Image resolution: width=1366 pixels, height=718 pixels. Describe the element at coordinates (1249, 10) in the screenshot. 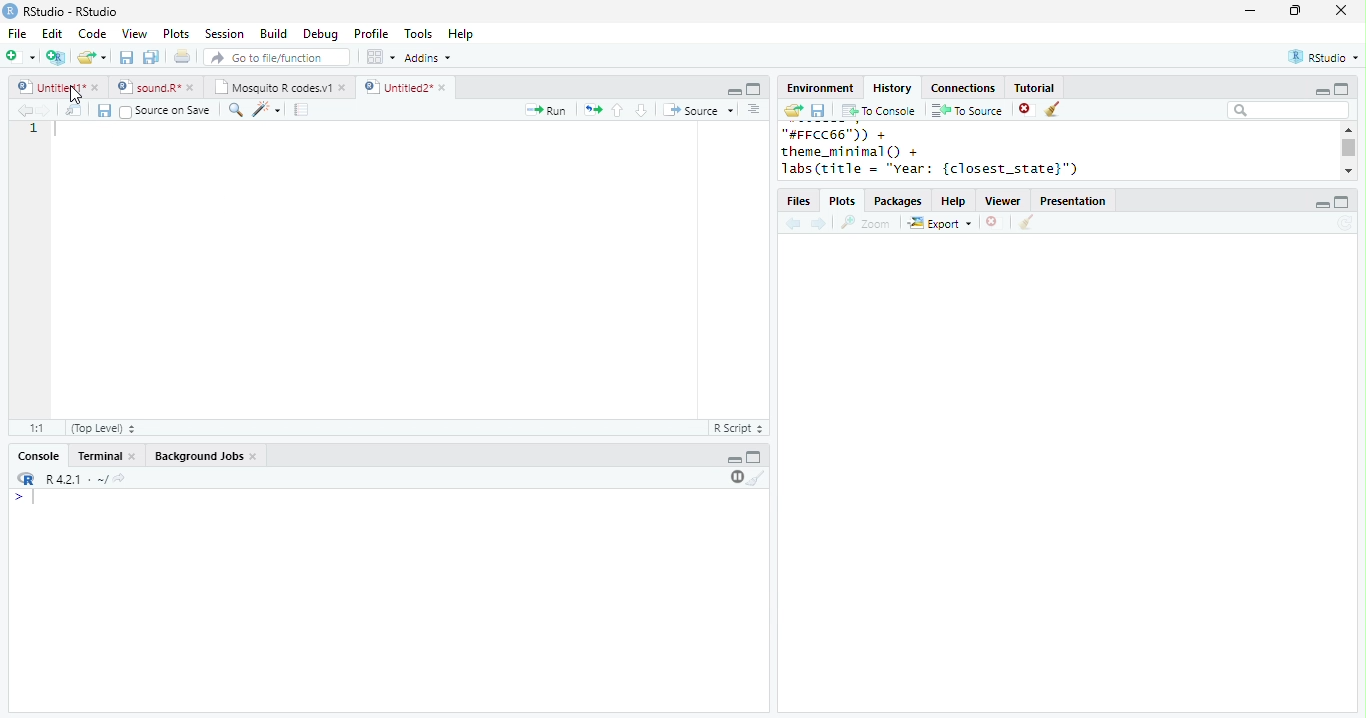

I see `minimize` at that location.